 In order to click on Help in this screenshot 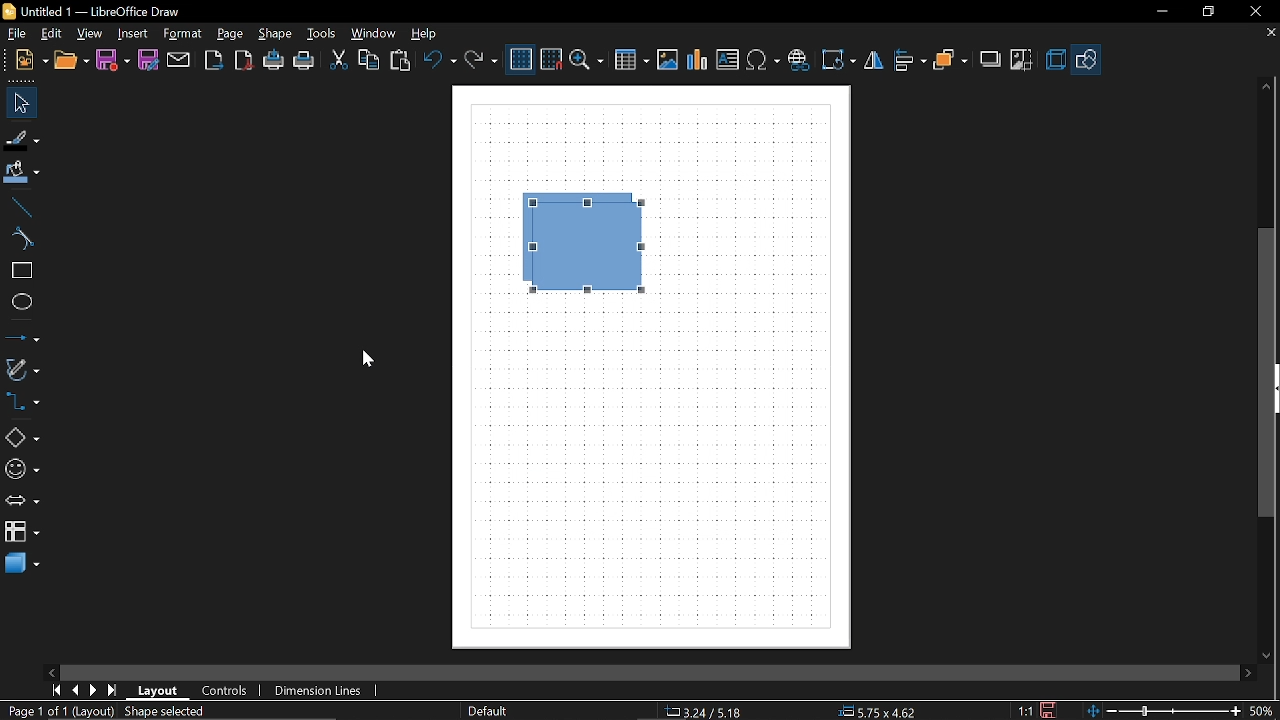, I will do `click(431, 33)`.